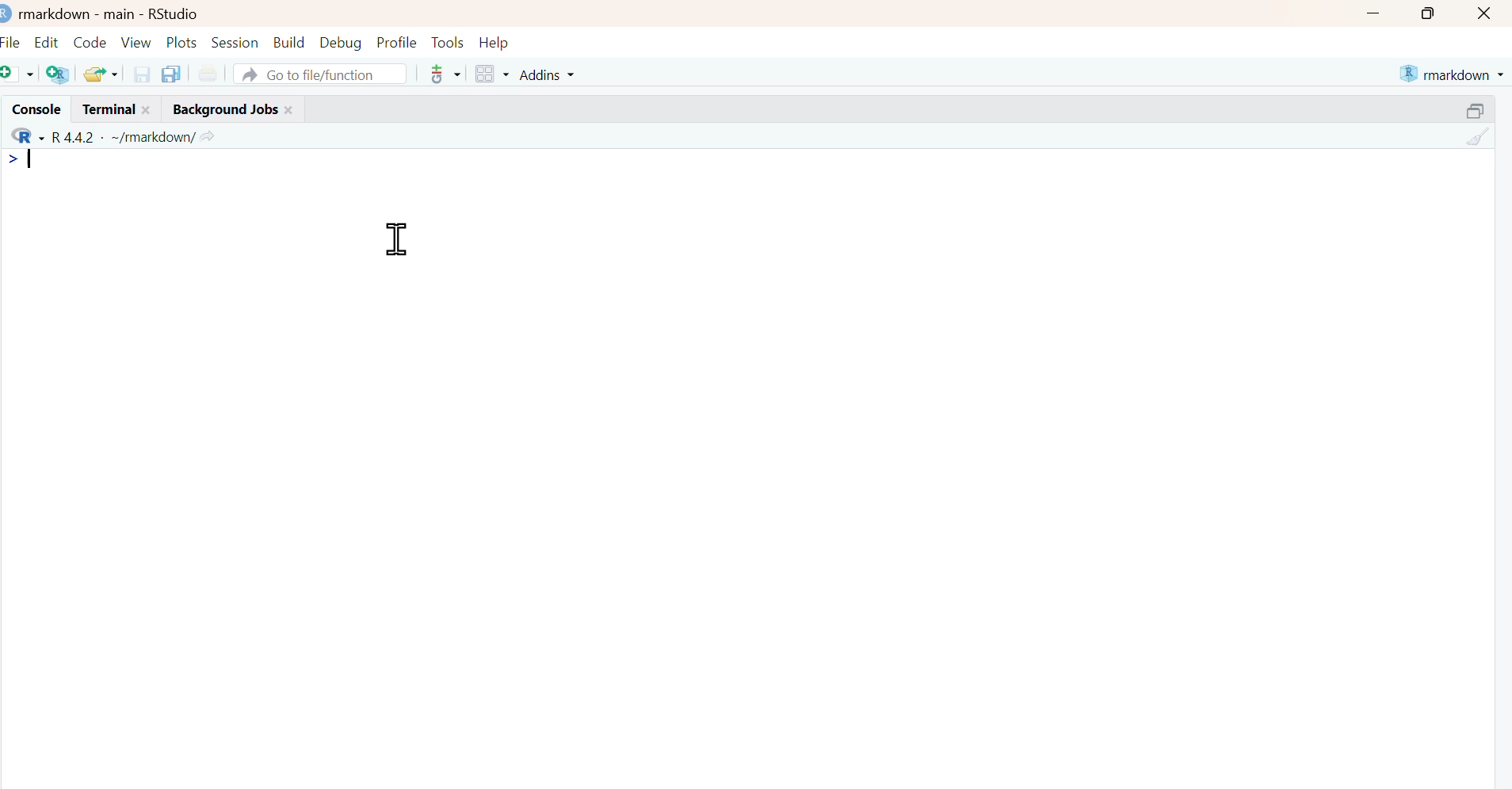 The height and width of the screenshot is (789, 1512). Describe the element at coordinates (32, 159) in the screenshot. I see `text cursor` at that location.